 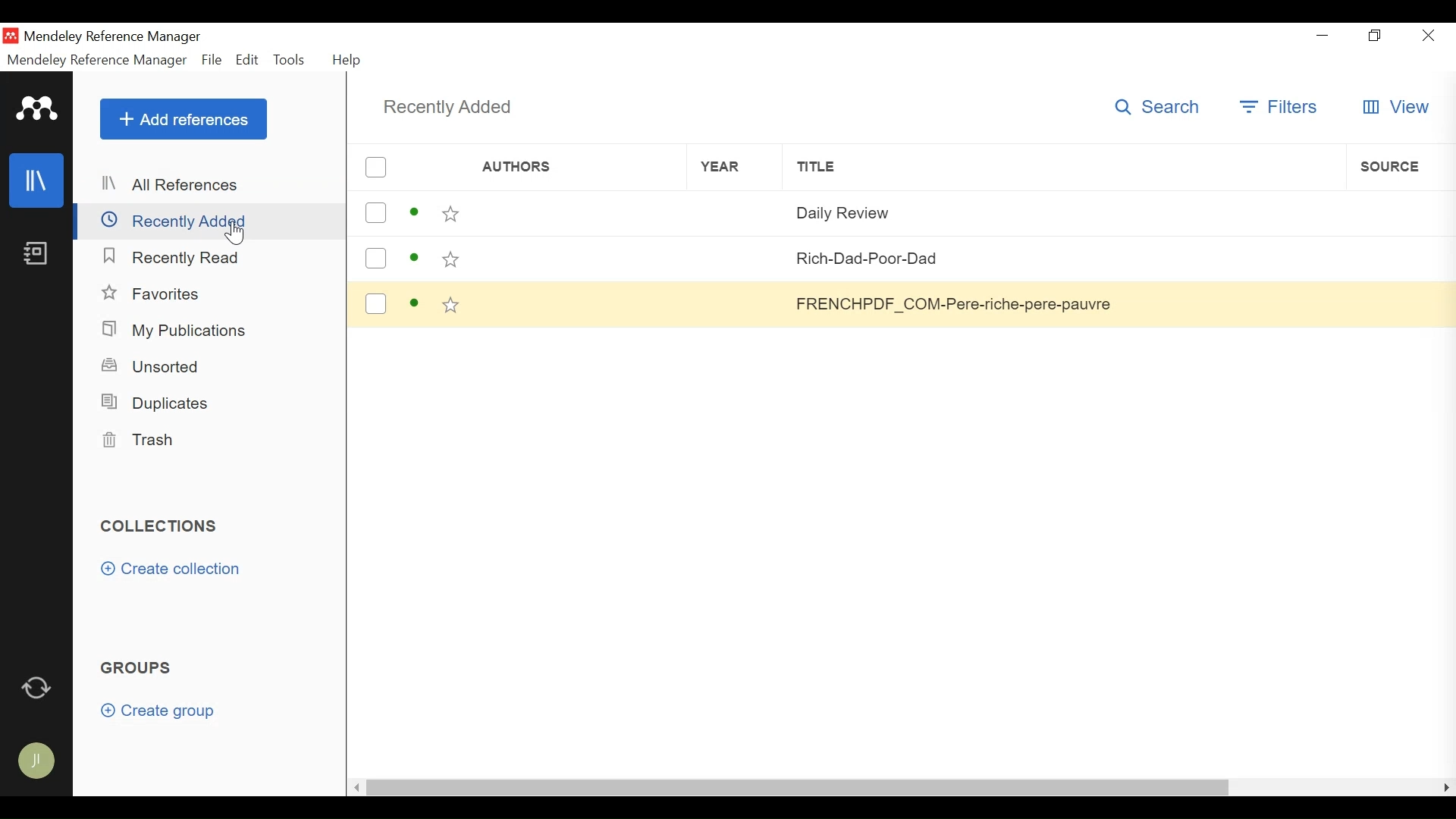 What do you see at coordinates (1401, 166) in the screenshot?
I see `Source` at bounding box center [1401, 166].